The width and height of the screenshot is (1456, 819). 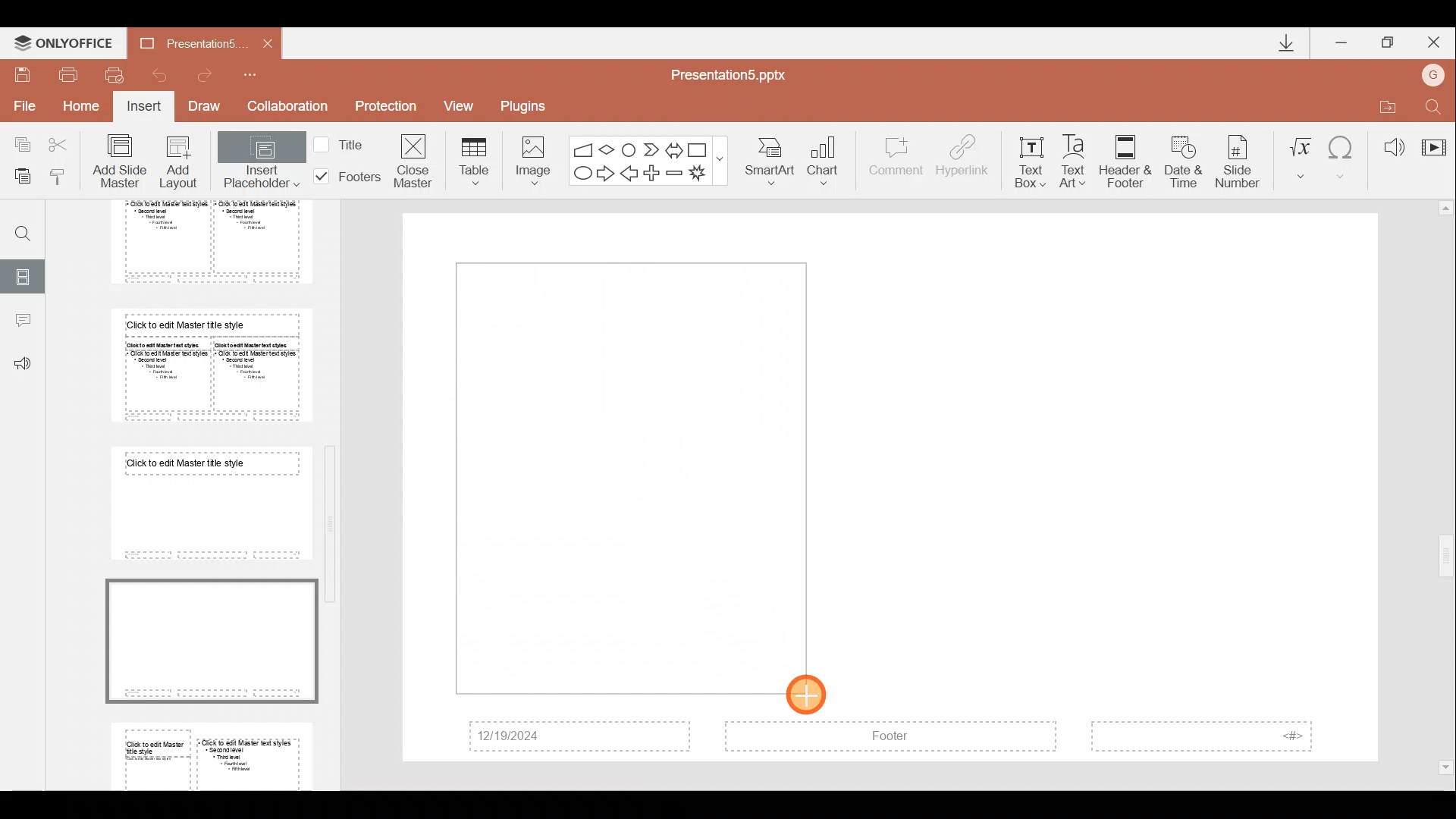 I want to click on Footers, so click(x=345, y=177).